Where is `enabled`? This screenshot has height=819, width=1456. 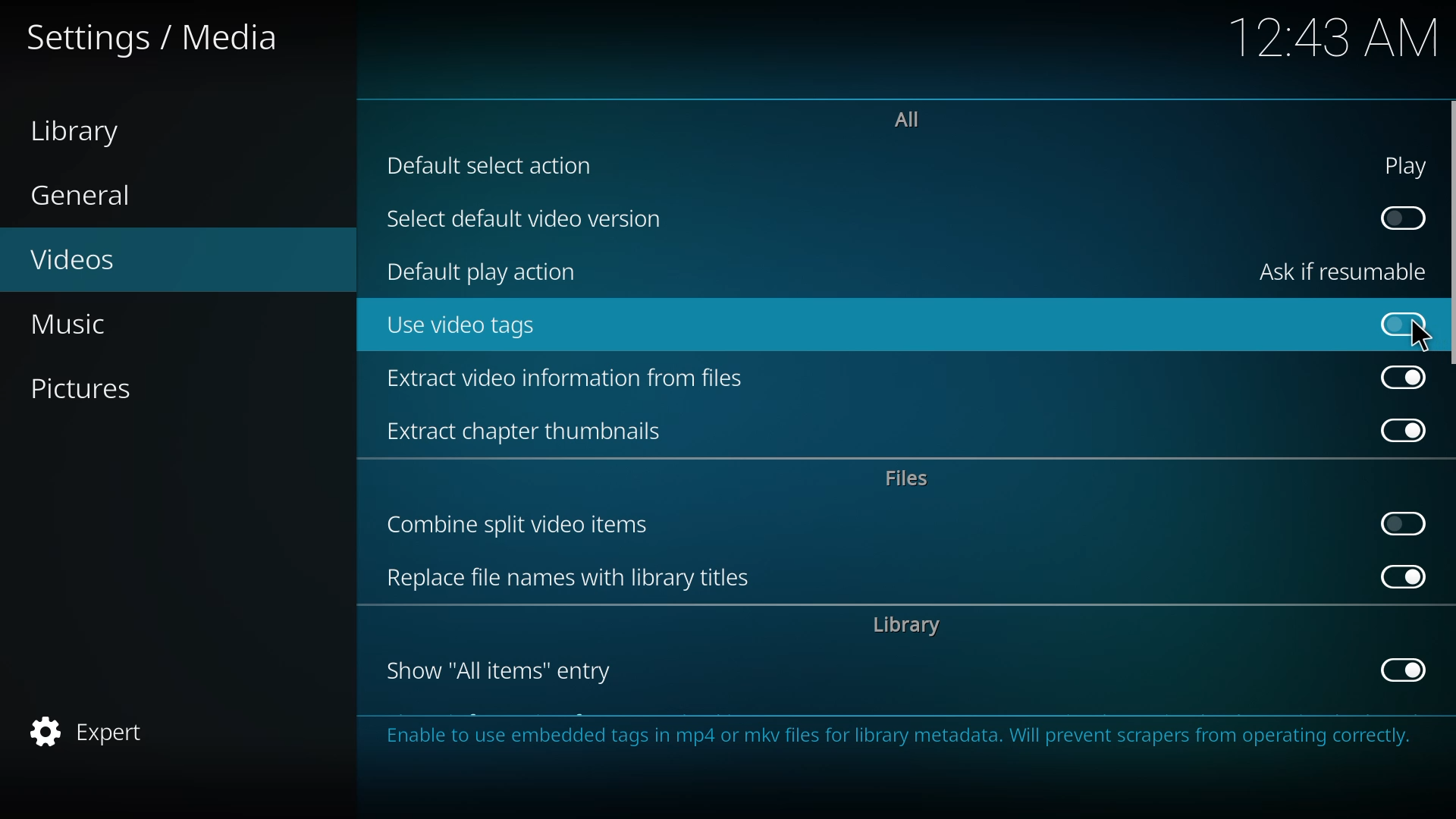
enabled is located at coordinates (1404, 670).